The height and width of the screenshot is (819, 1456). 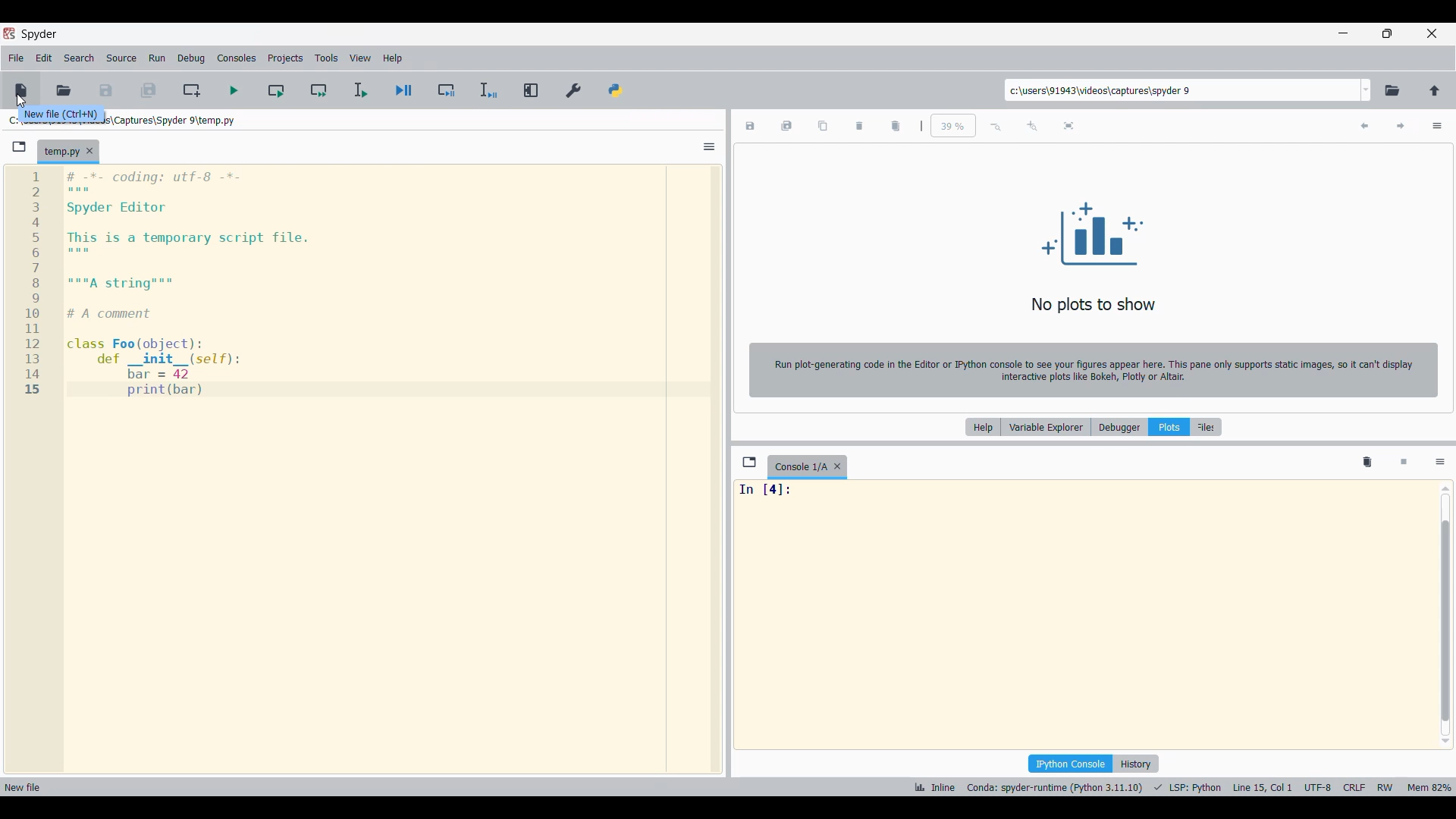 I want to click on 123456i89101112131415, so click(x=33, y=287).